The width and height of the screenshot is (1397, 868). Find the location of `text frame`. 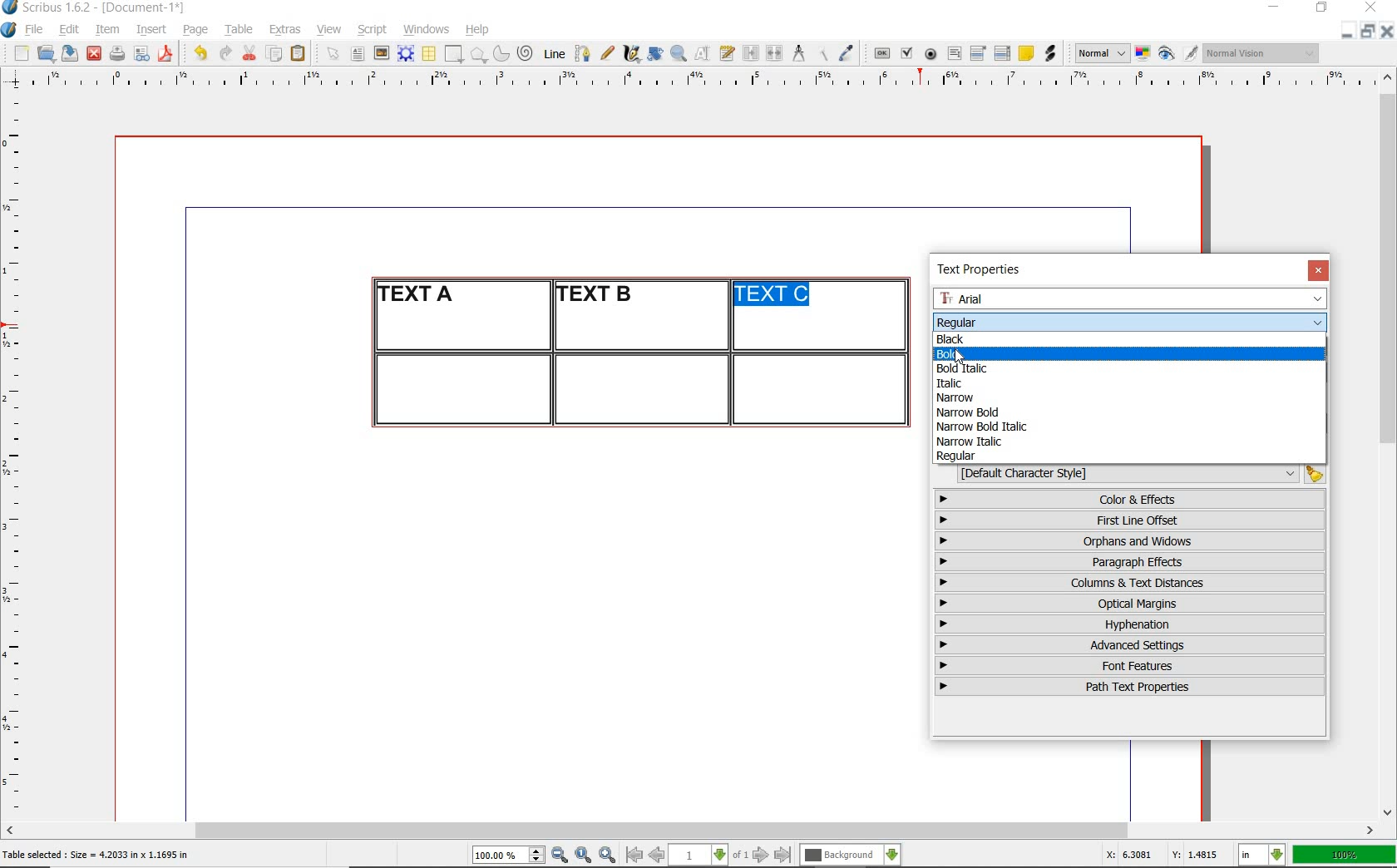

text frame is located at coordinates (357, 55).